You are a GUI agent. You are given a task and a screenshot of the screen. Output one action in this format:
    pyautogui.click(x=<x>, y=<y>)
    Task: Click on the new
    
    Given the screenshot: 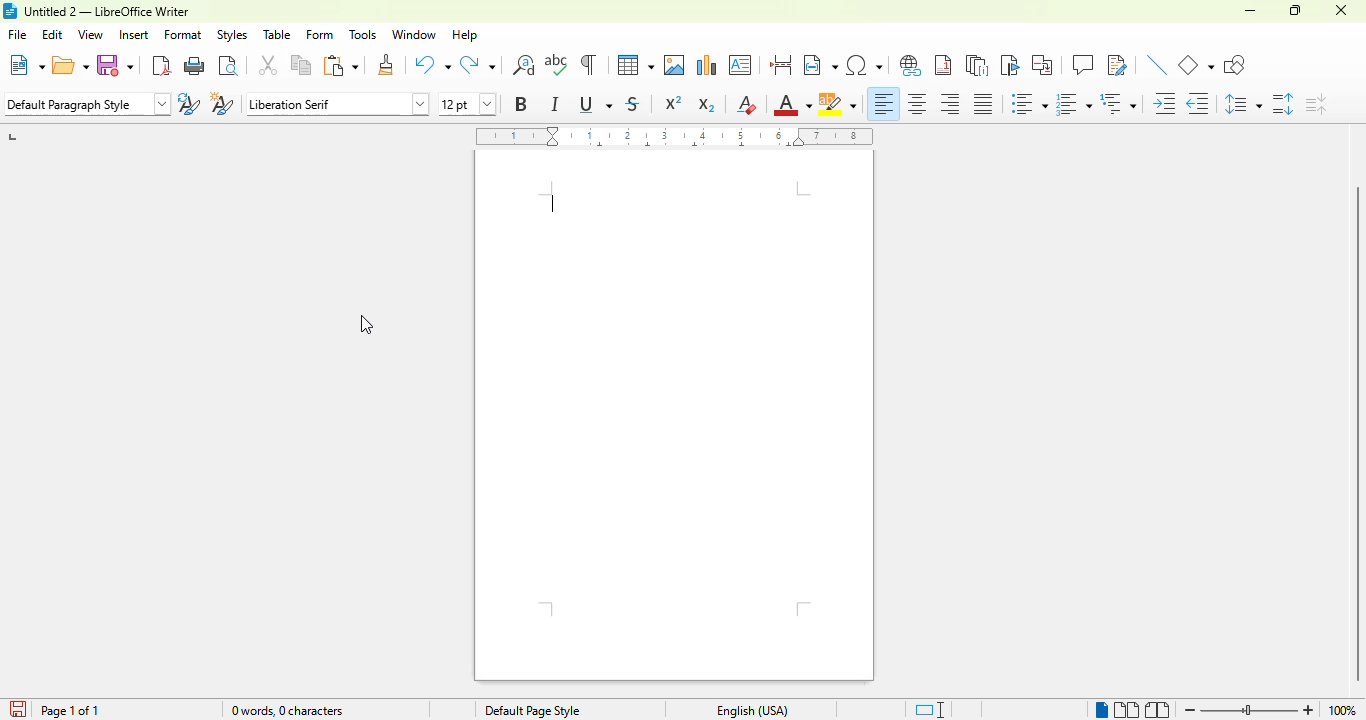 What is the action you would take?
    pyautogui.click(x=26, y=65)
    